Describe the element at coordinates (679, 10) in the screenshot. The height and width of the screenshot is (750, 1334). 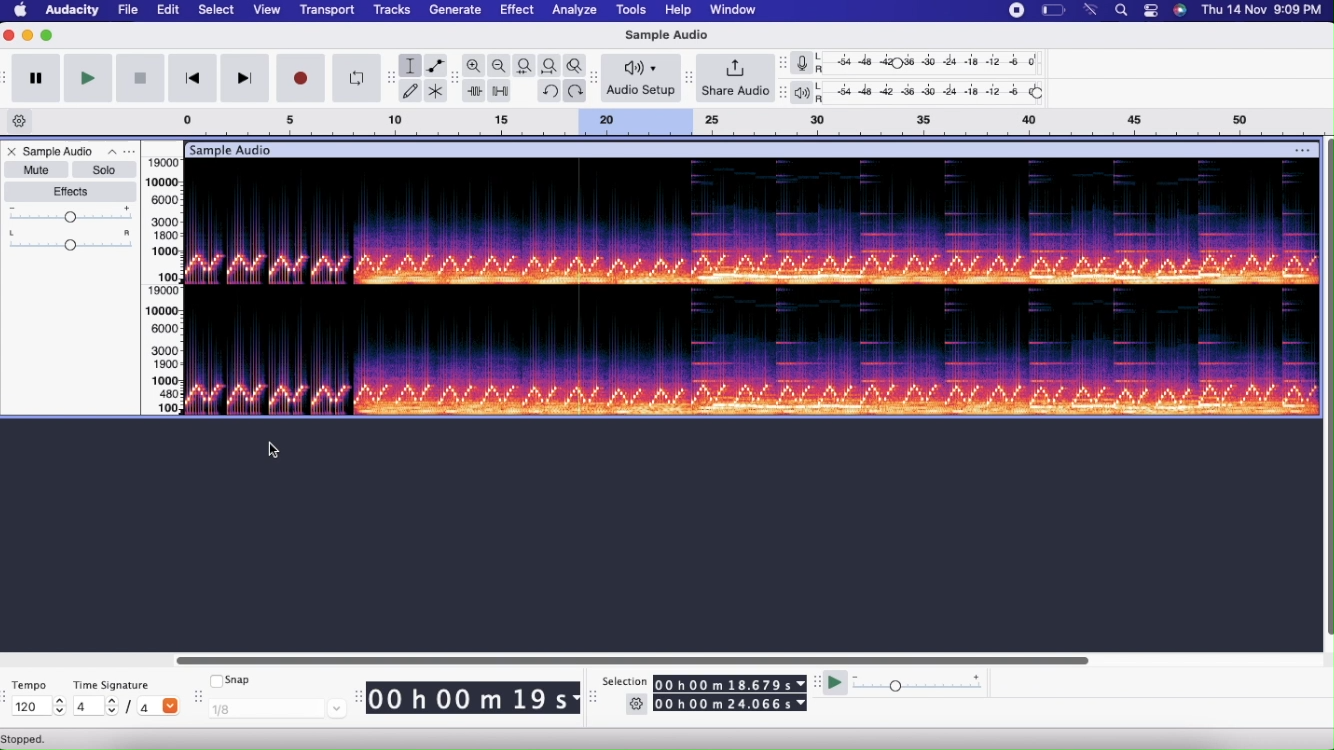
I see `Help` at that location.